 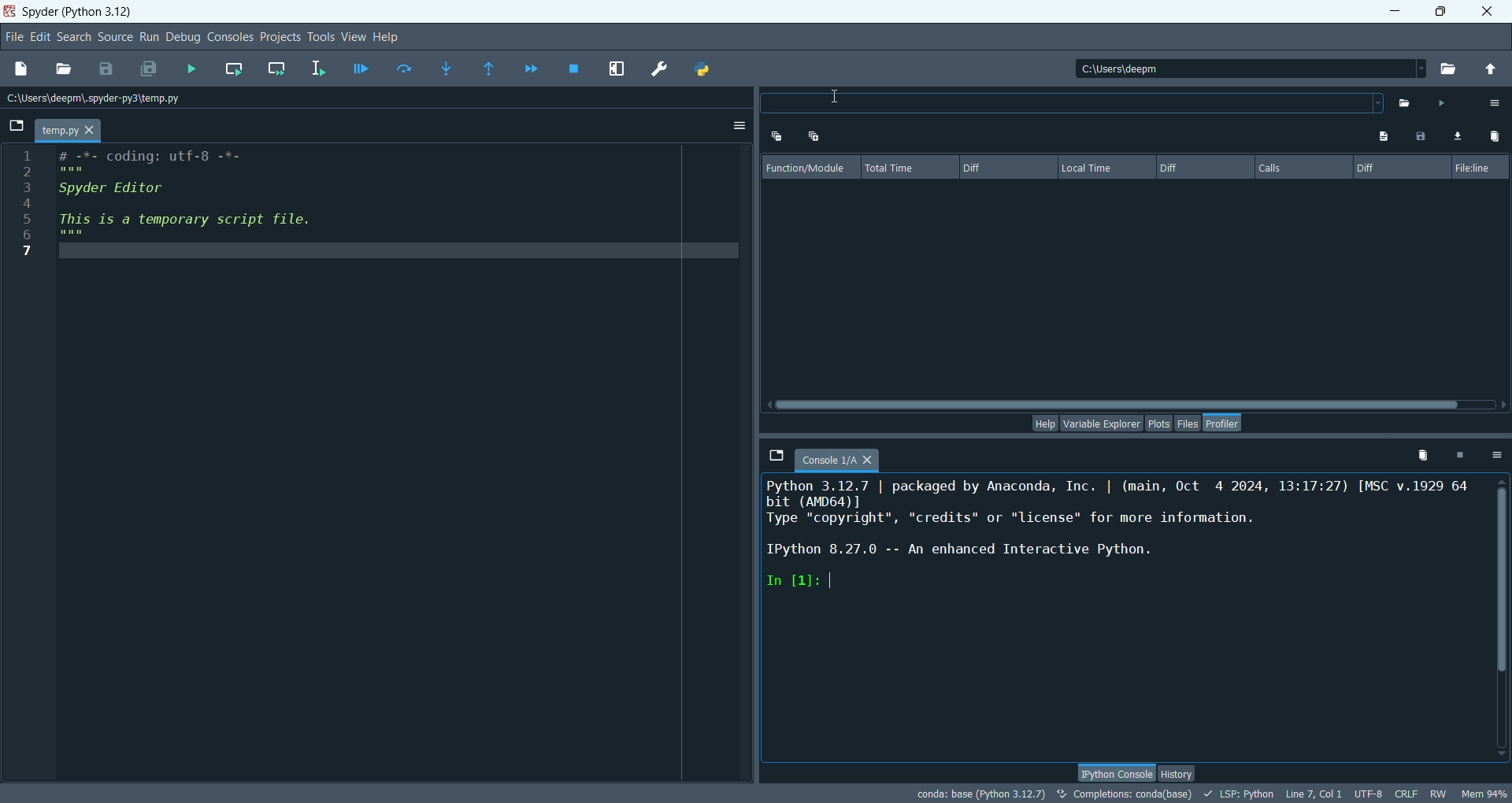 What do you see at coordinates (18, 123) in the screenshot?
I see `browse tabs` at bounding box center [18, 123].